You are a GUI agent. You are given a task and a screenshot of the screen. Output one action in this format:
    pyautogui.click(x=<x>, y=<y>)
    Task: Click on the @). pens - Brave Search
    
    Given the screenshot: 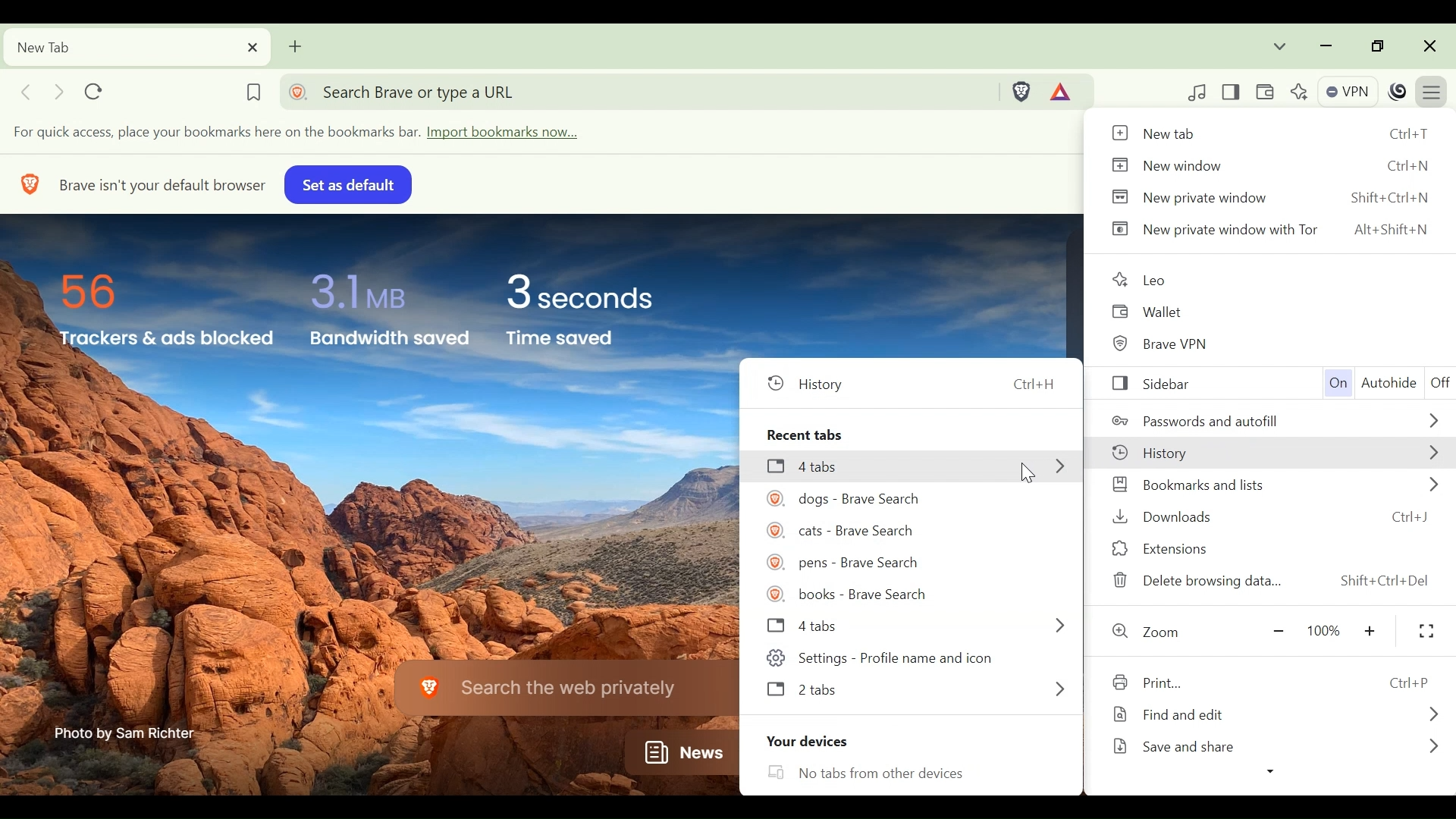 What is the action you would take?
    pyautogui.click(x=840, y=562)
    